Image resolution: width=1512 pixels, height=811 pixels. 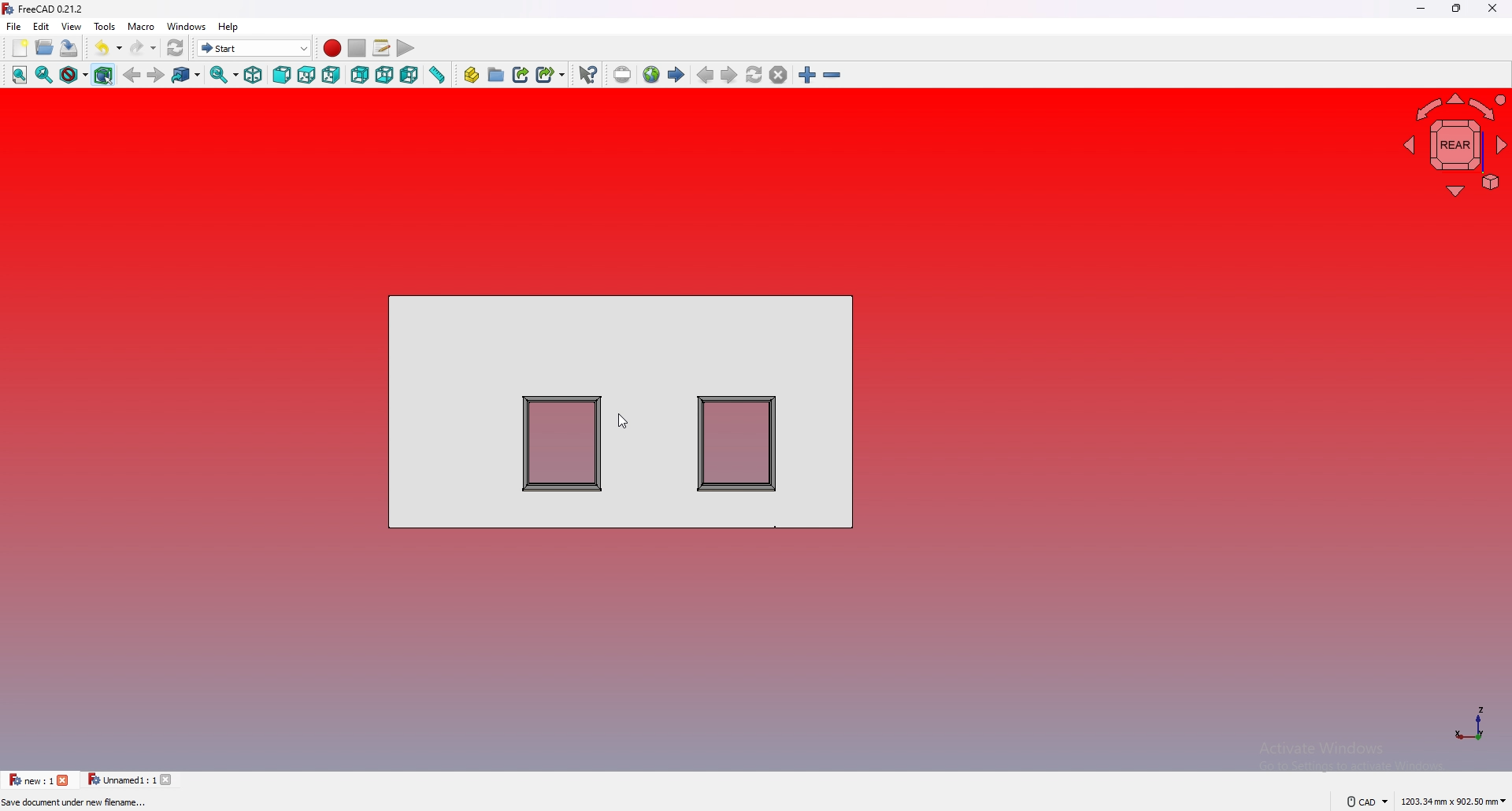 What do you see at coordinates (185, 26) in the screenshot?
I see `windows` at bounding box center [185, 26].